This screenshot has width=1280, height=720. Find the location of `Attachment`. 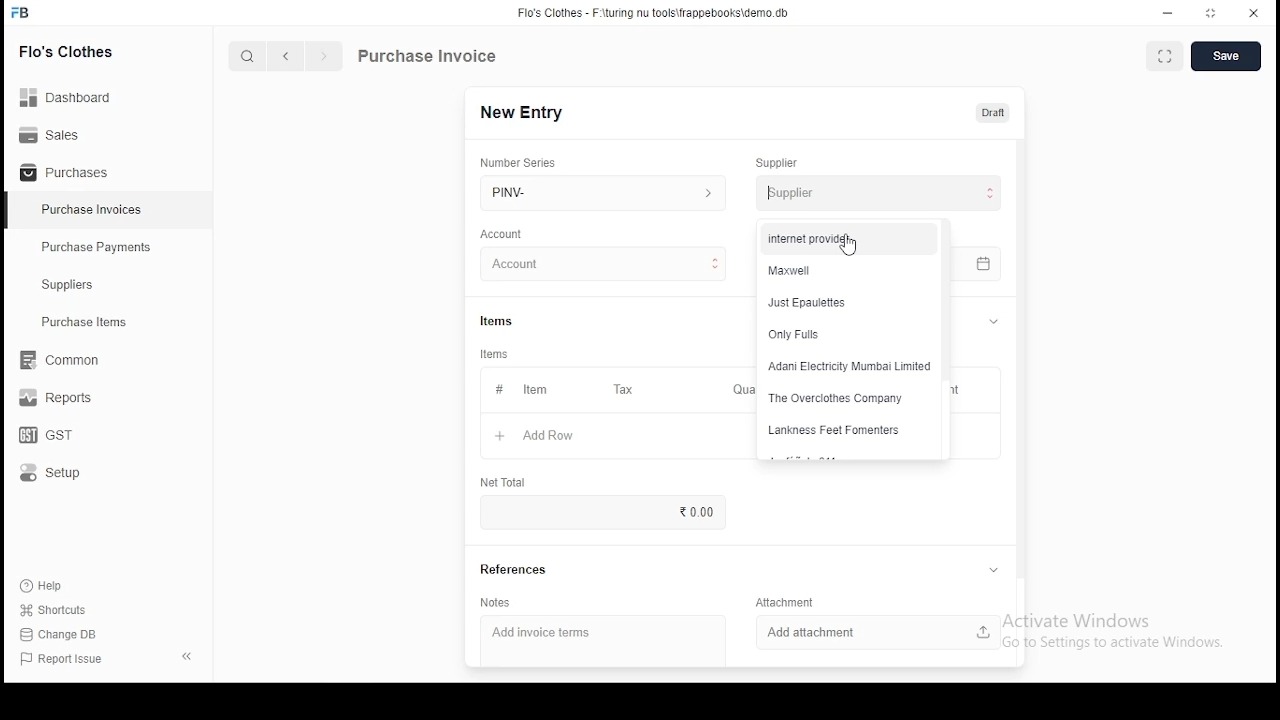

Attachment is located at coordinates (788, 602).